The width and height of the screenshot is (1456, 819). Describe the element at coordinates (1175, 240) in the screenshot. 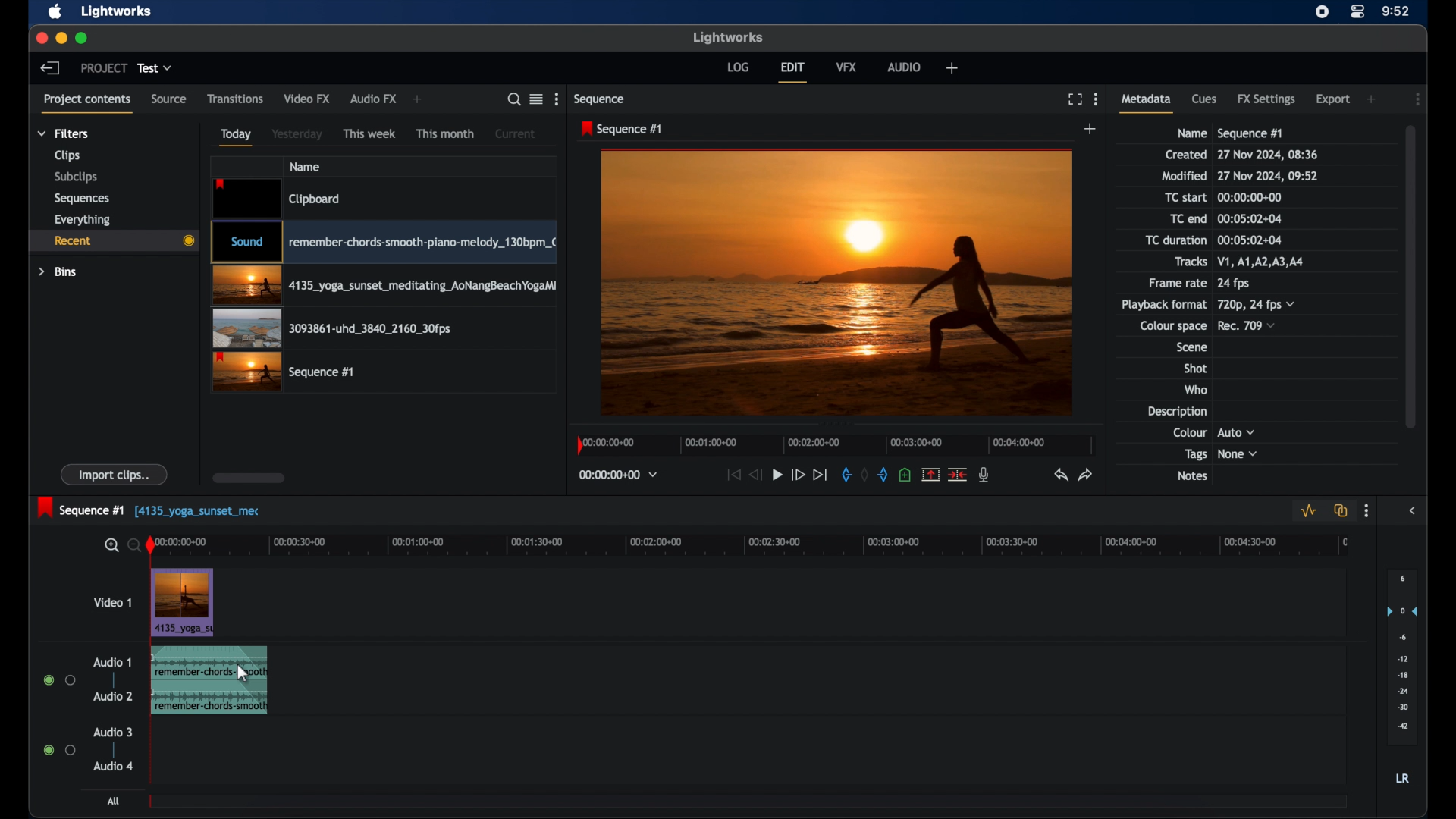

I see `tc duration` at that location.